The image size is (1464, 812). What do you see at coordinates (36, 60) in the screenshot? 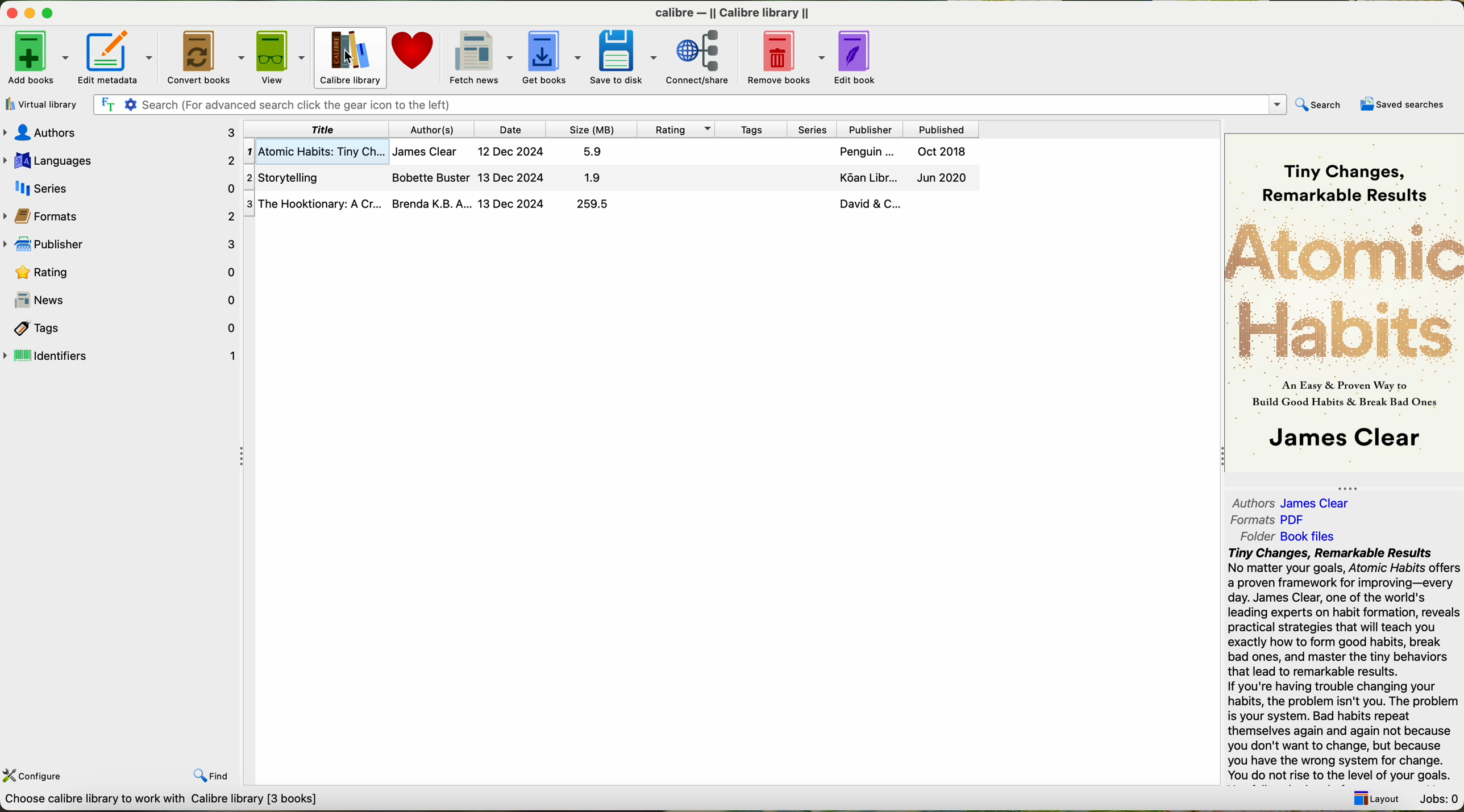
I see `add books` at bounding box center [36, 60].